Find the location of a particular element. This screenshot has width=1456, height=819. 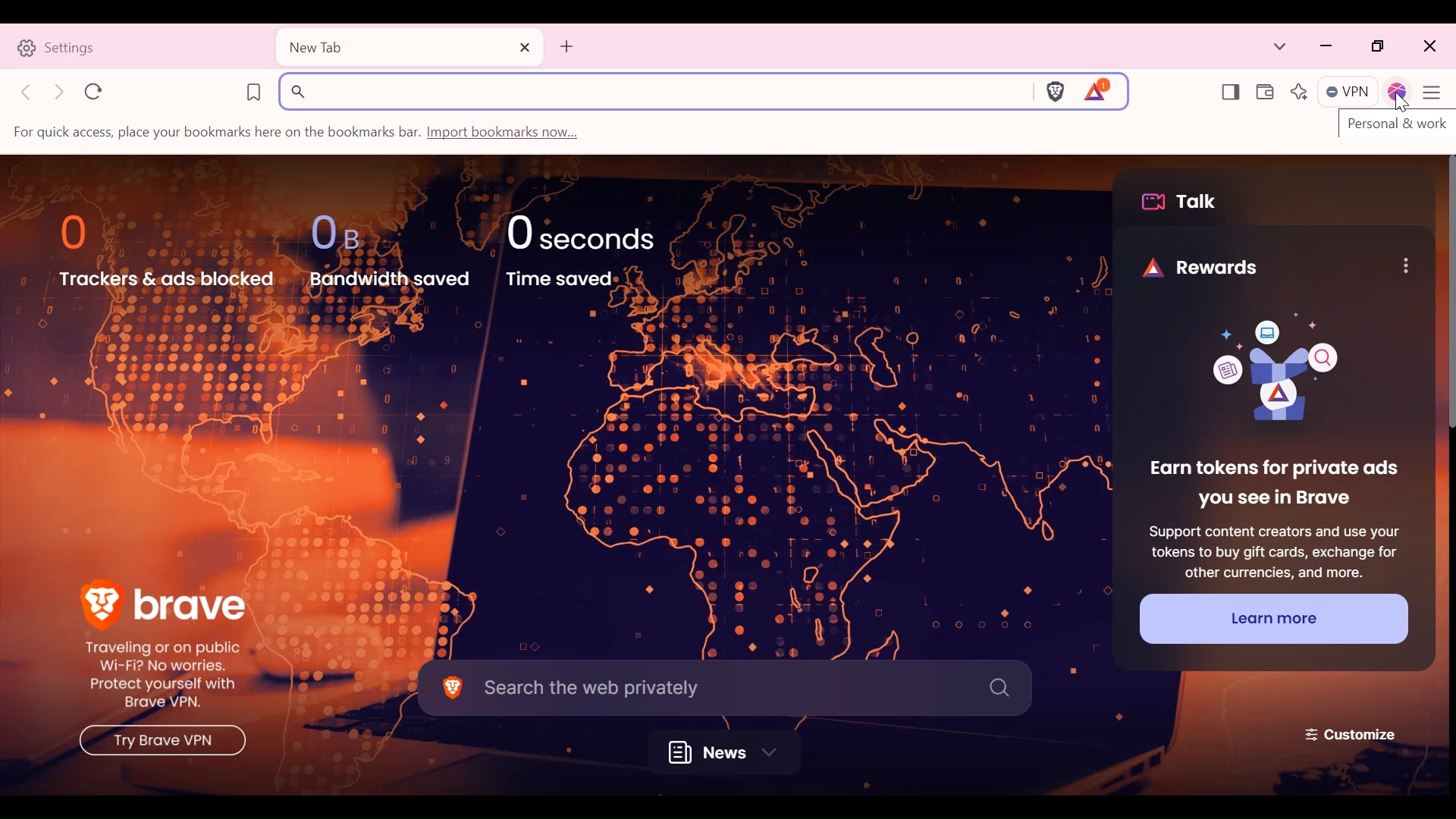

 is located at coordinates (1405, 265).